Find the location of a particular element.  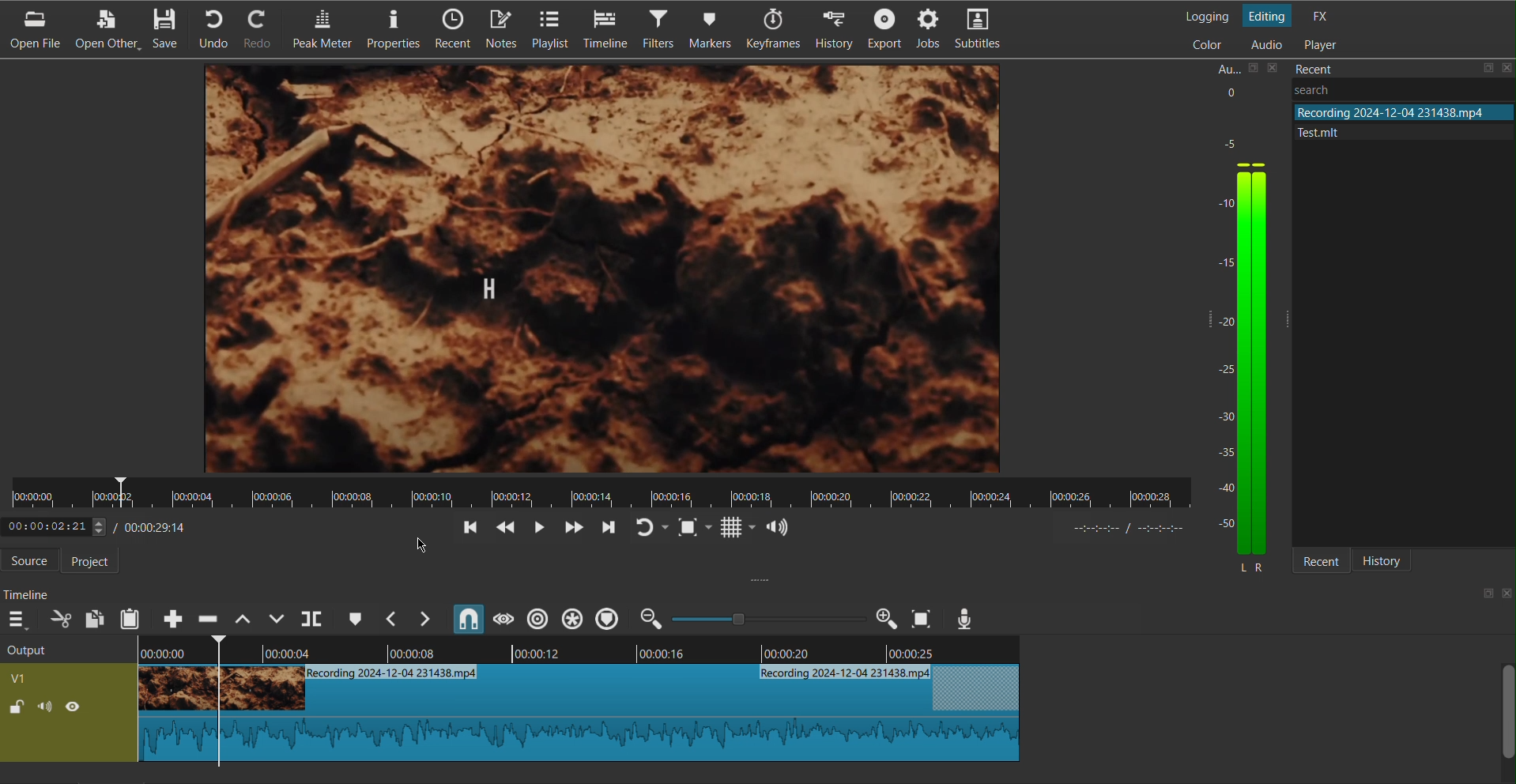

Redo is located at coordinates (264, 28).